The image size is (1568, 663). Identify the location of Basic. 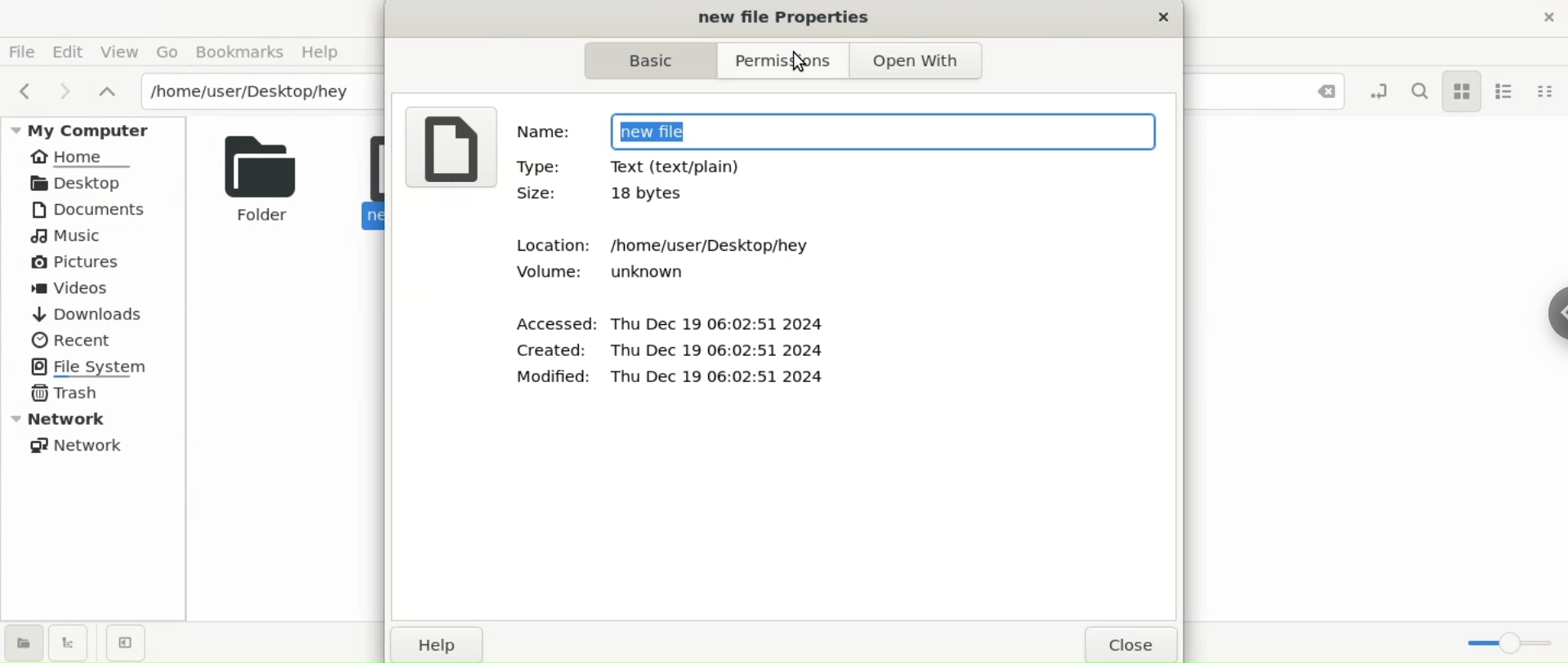
(643, 61).